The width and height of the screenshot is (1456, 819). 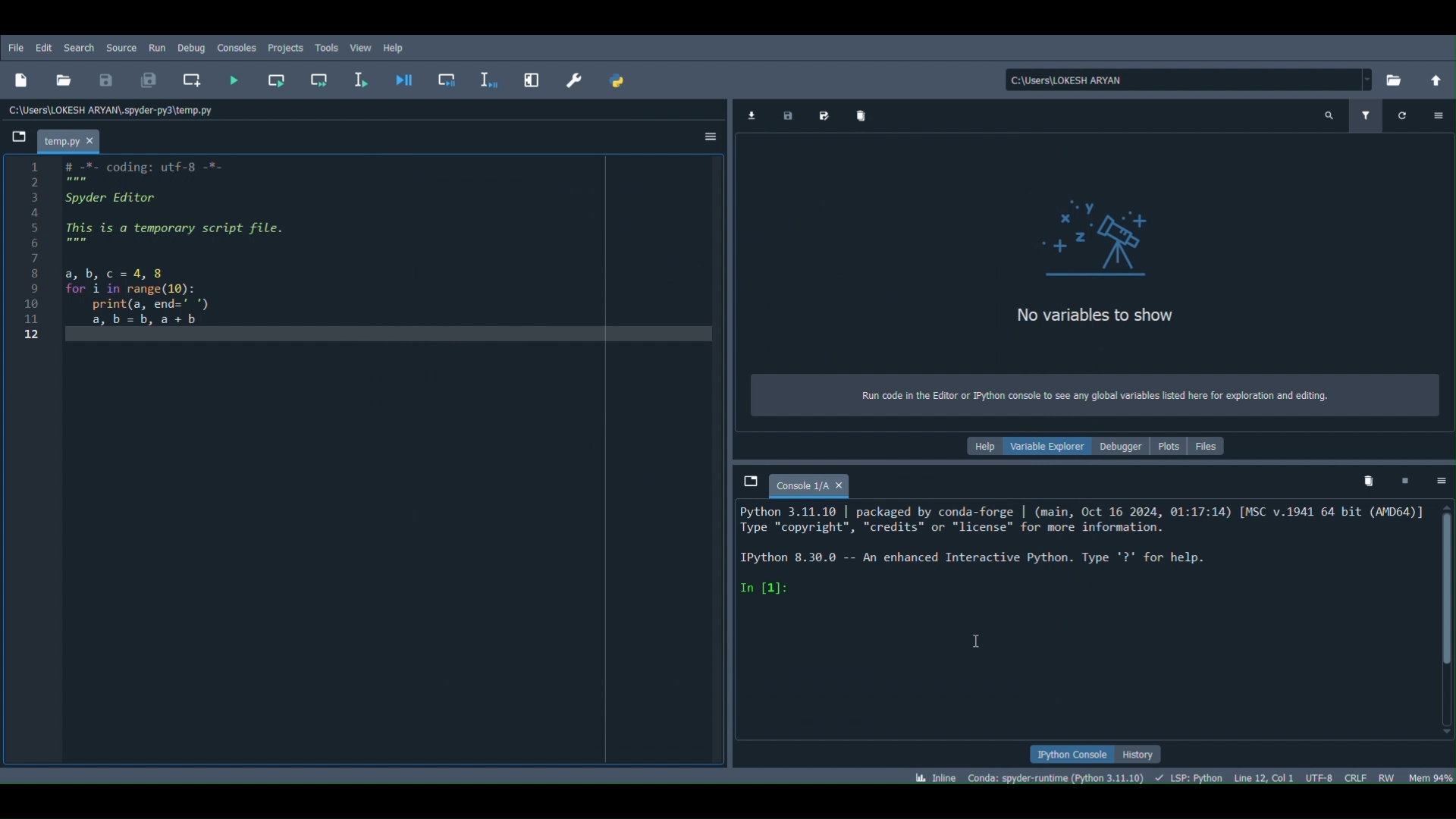 What do you see at coordinates (975, 640) in the screenshot?
I see `Cursor` at bounding box center [975, 640].